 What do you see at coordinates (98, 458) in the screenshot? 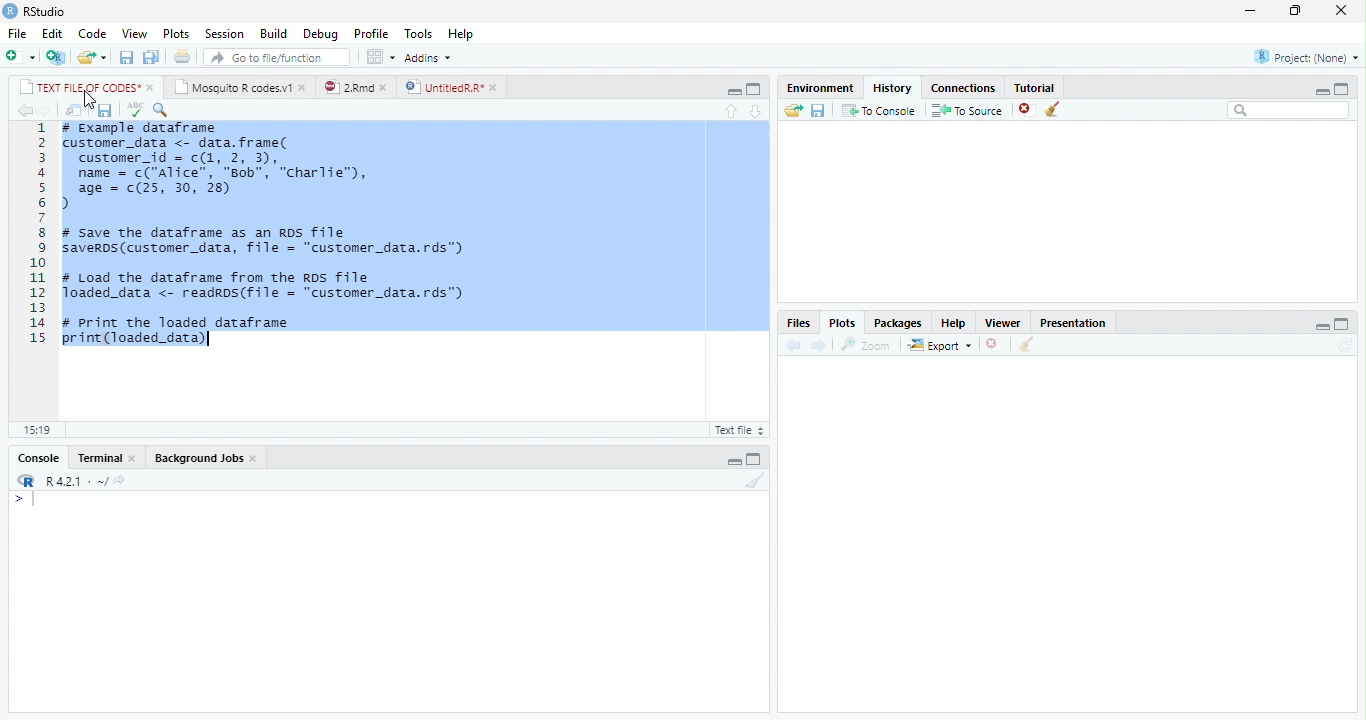
I see `Terminal` at bounding box center [98, 458].